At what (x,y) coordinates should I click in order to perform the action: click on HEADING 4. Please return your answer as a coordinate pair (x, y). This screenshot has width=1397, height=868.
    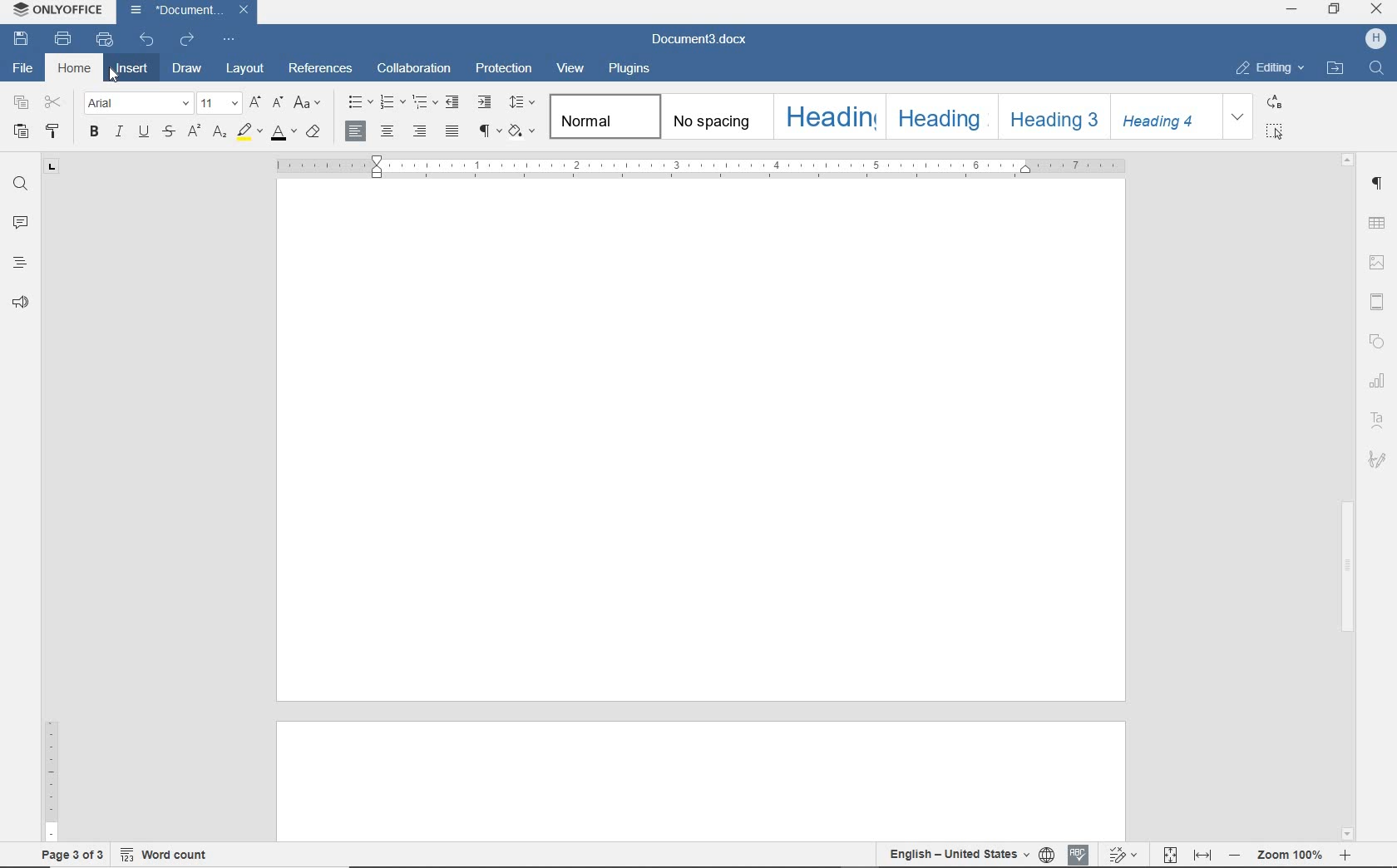
    Looking at the image, I should click on (1167, 116).